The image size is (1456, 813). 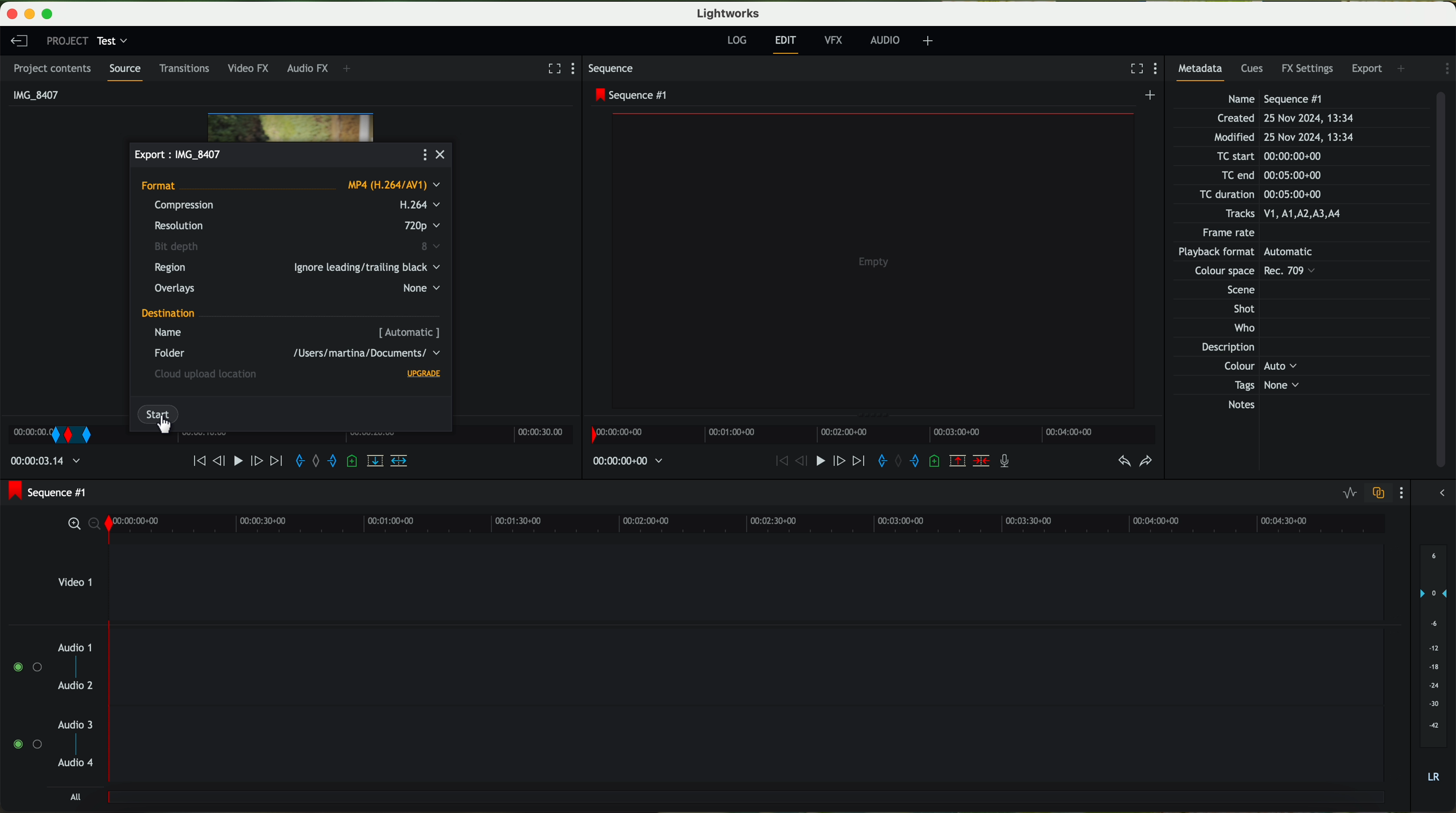 I want to click on transition, so click(x=115, y=434).